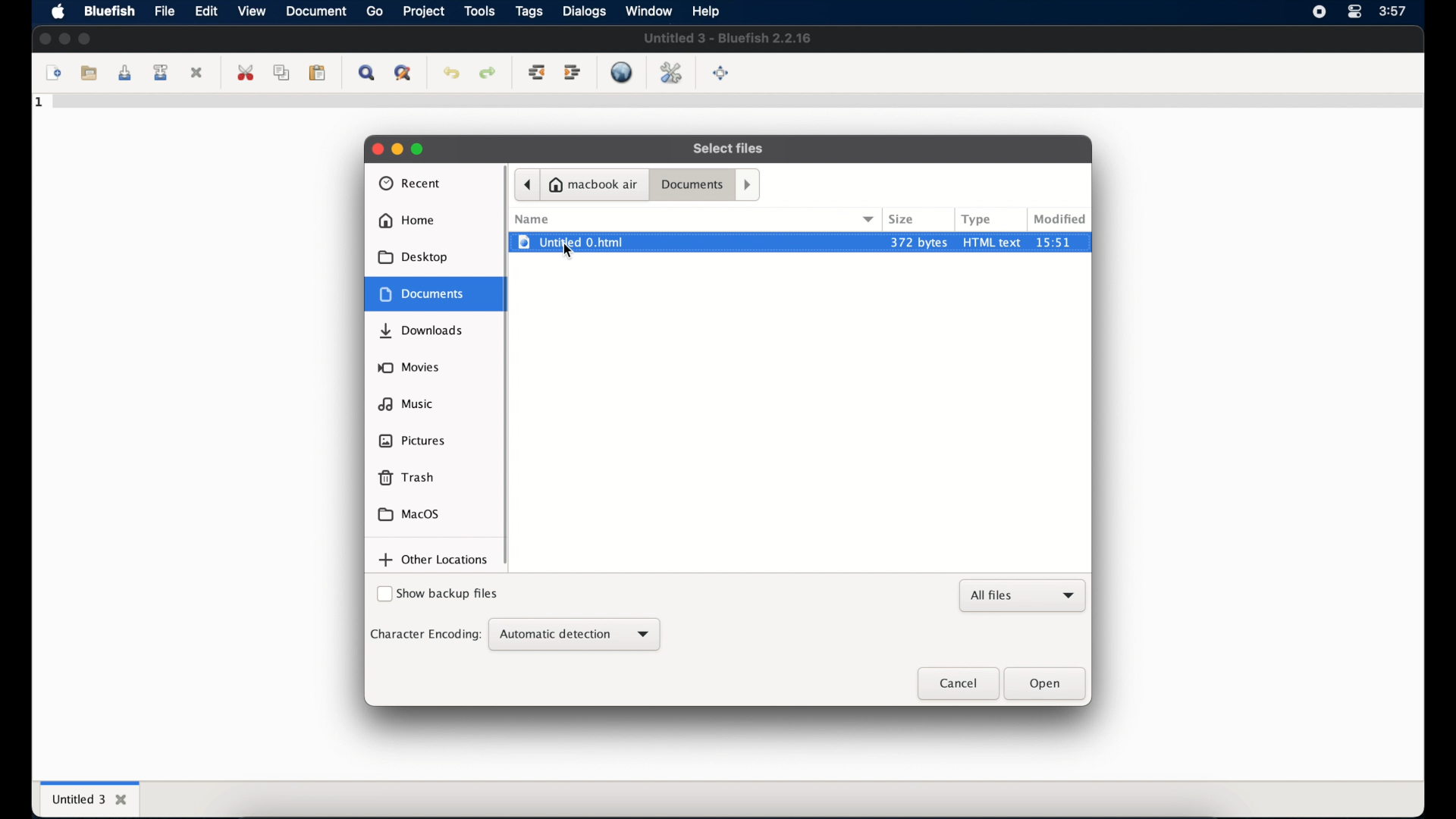 This screenshot has width=1456, height=819. I want to click on 372 bytes, so click(918, 241).